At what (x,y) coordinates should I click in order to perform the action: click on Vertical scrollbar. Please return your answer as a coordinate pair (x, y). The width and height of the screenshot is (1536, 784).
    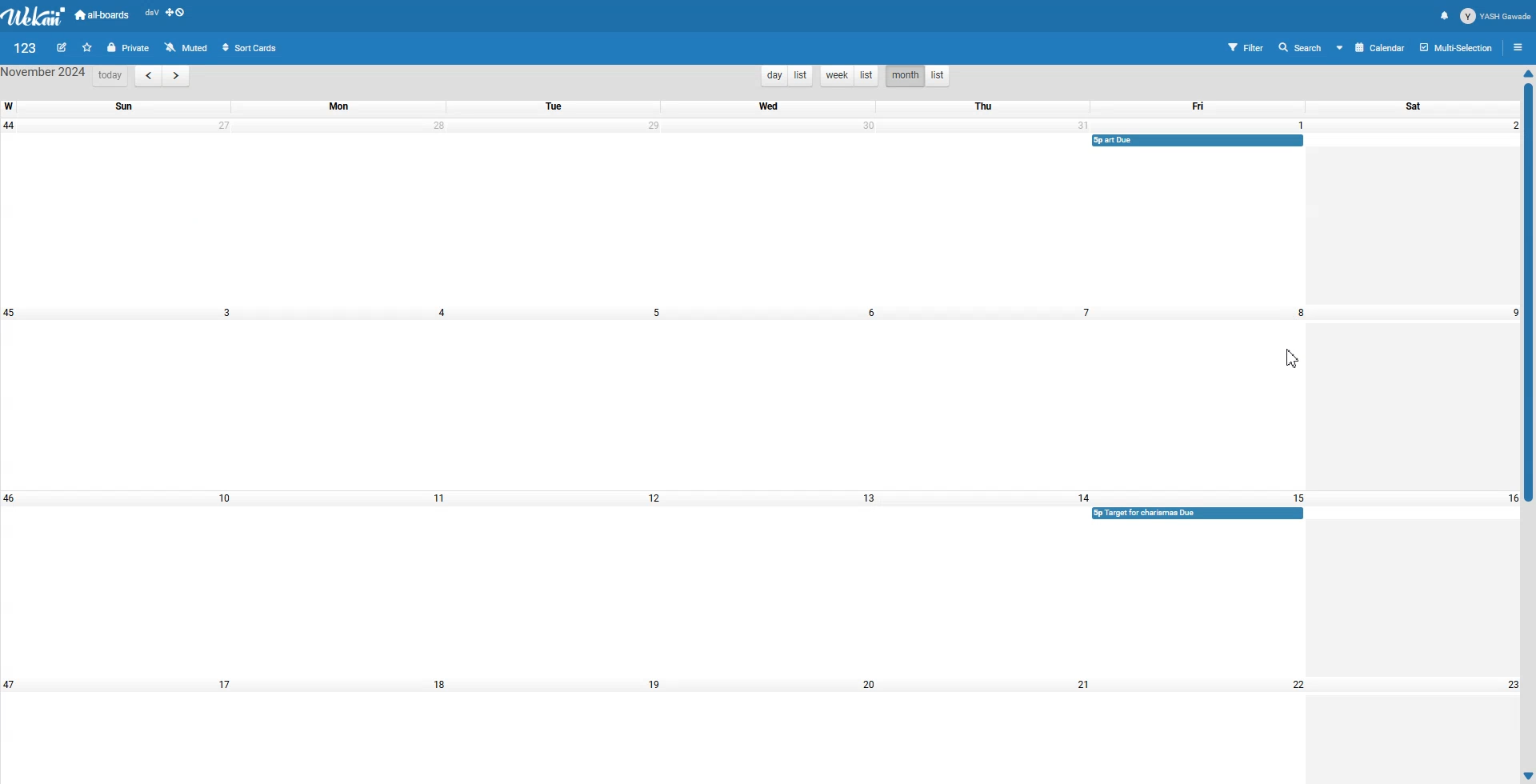
    Looking at the image, I should click on (1526, 425).